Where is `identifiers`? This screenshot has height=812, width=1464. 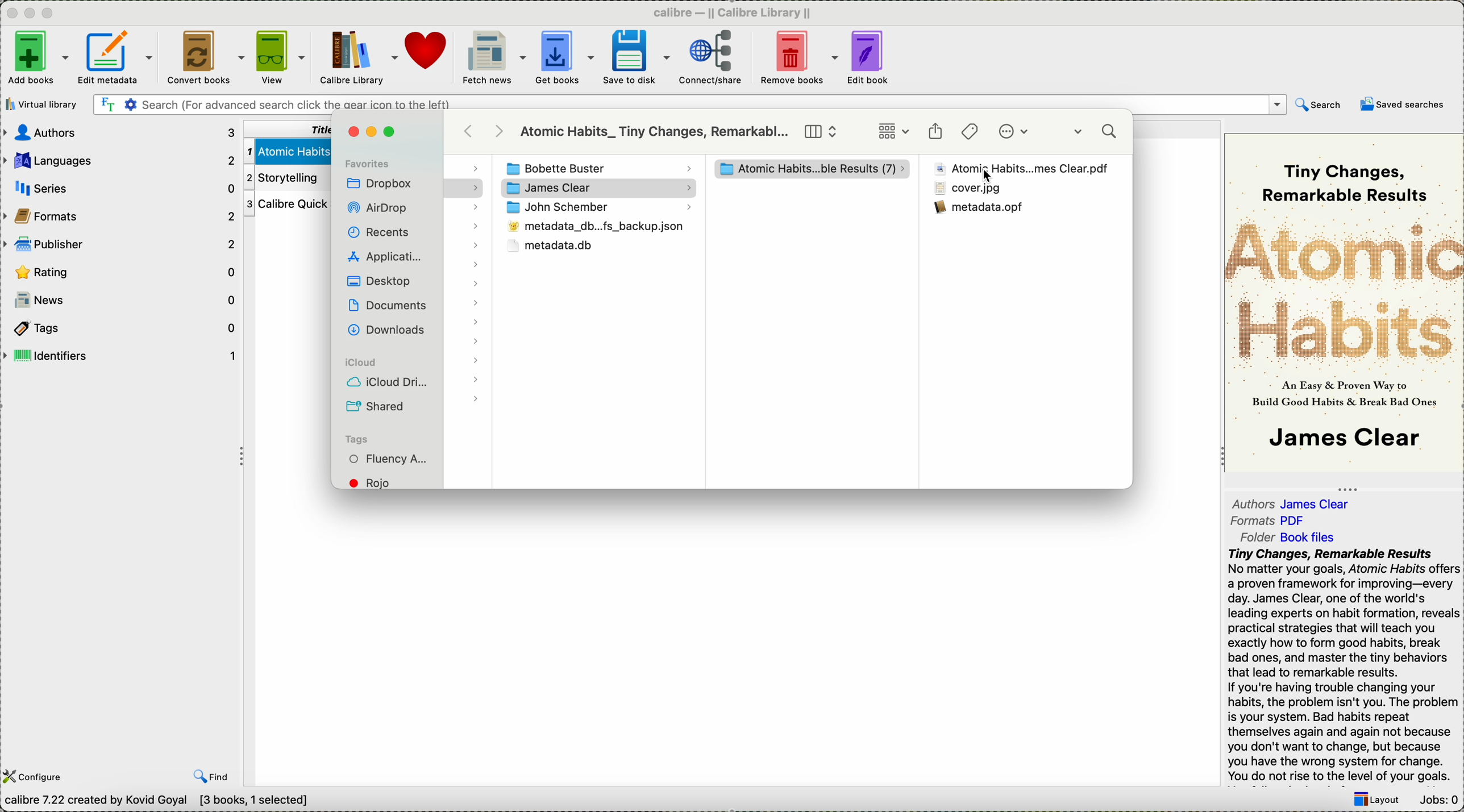 identifiers is located at coordinates (120, 356).